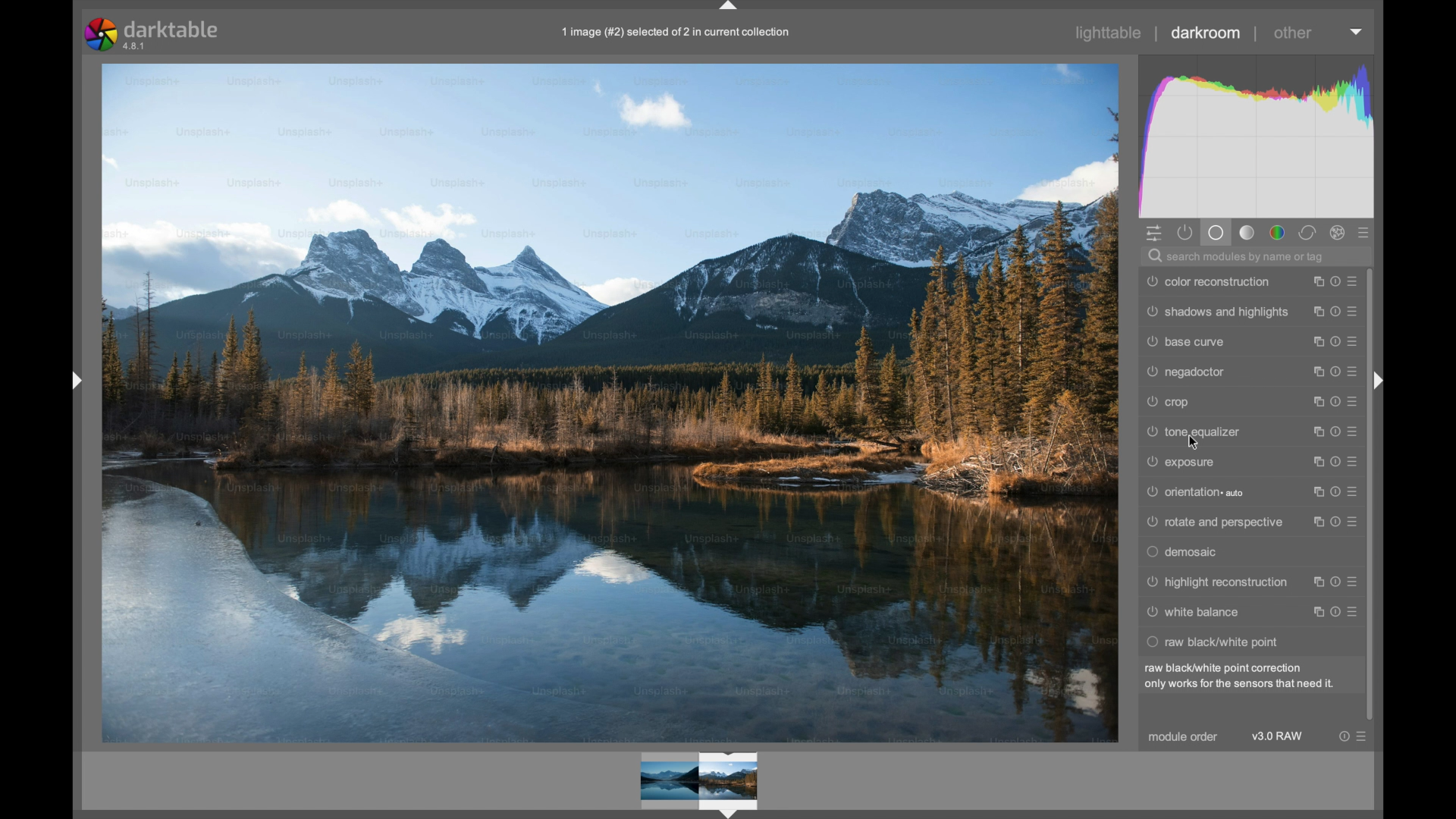 The height and width of the screenshot is (819, 1456). I want to click on tone, so click(1248, 232).